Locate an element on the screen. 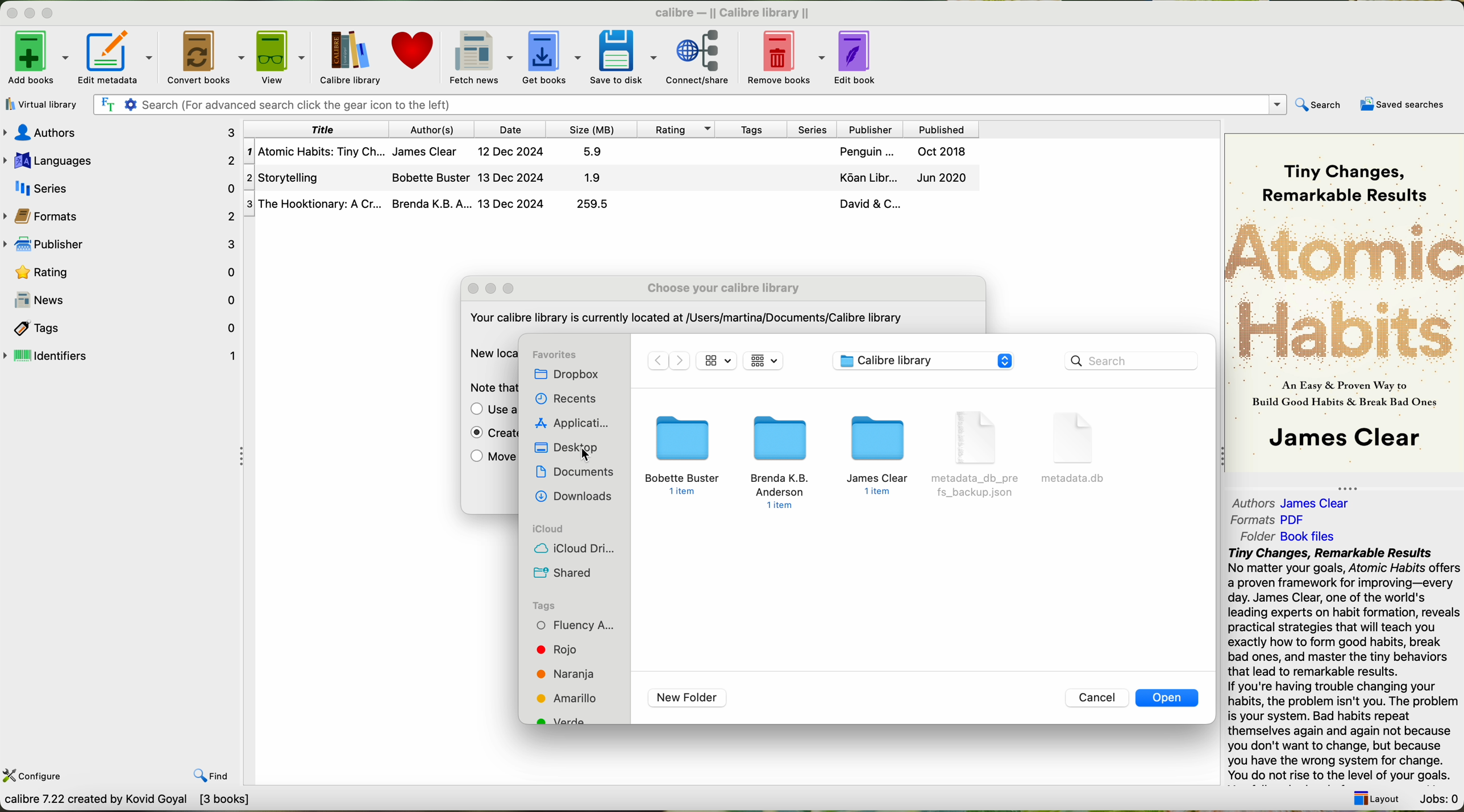  move is located at coordinates (490, 459).